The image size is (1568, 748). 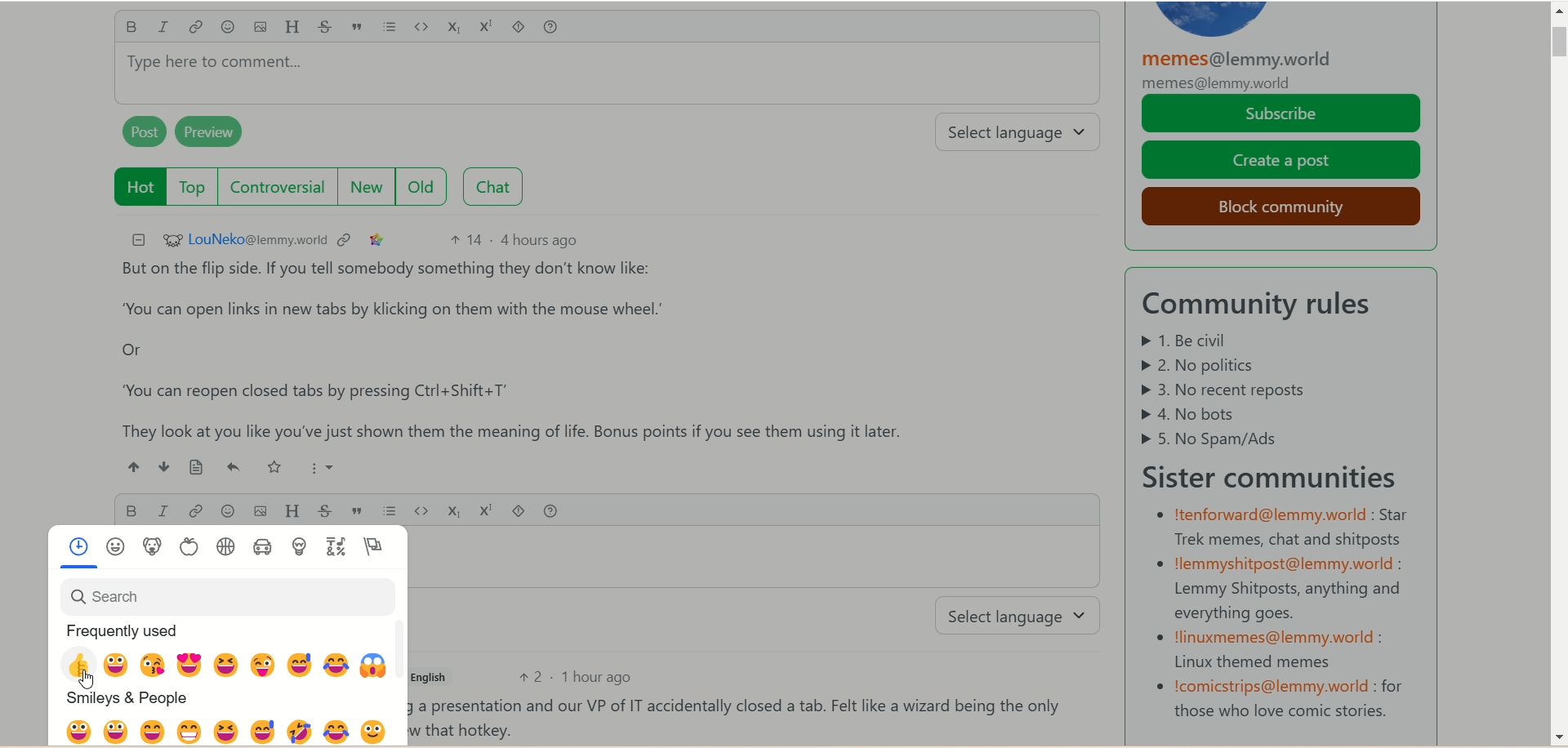 I want to click on comment of LouNeko, so click(x=528, y=350).